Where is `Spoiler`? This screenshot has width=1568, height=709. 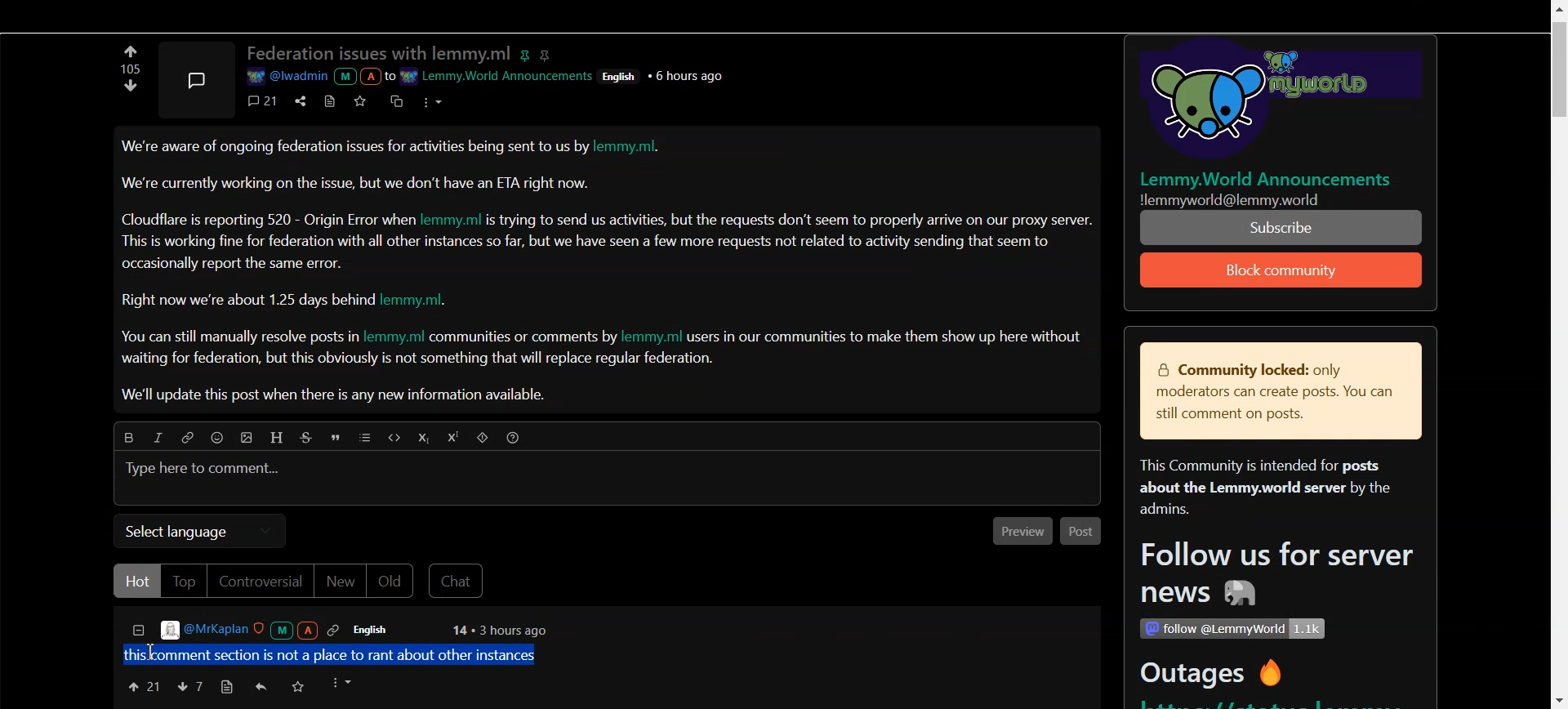
Spoiler is located at coordinates (484, 439).